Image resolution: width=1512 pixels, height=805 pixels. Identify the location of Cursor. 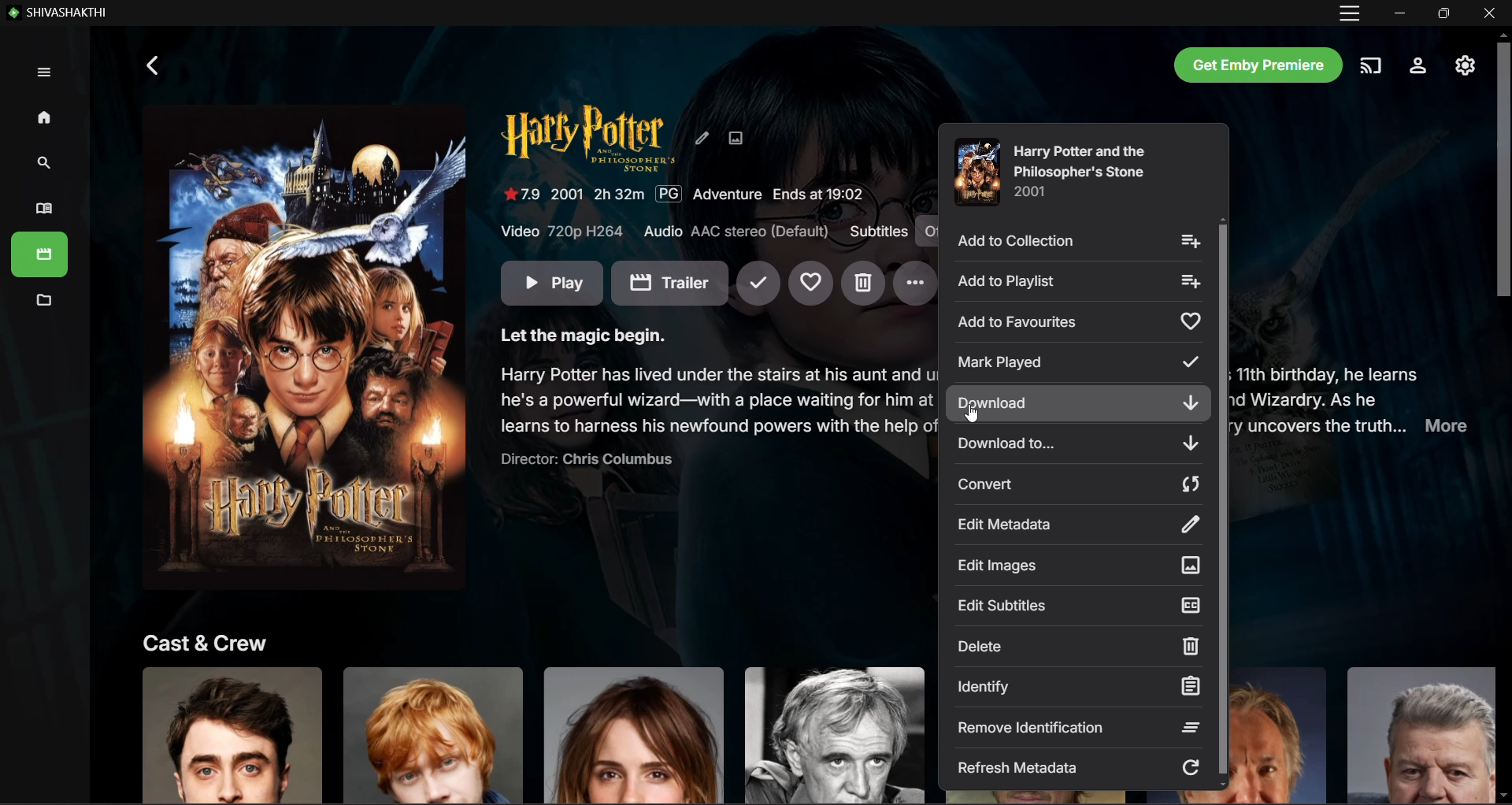
(971, 414).